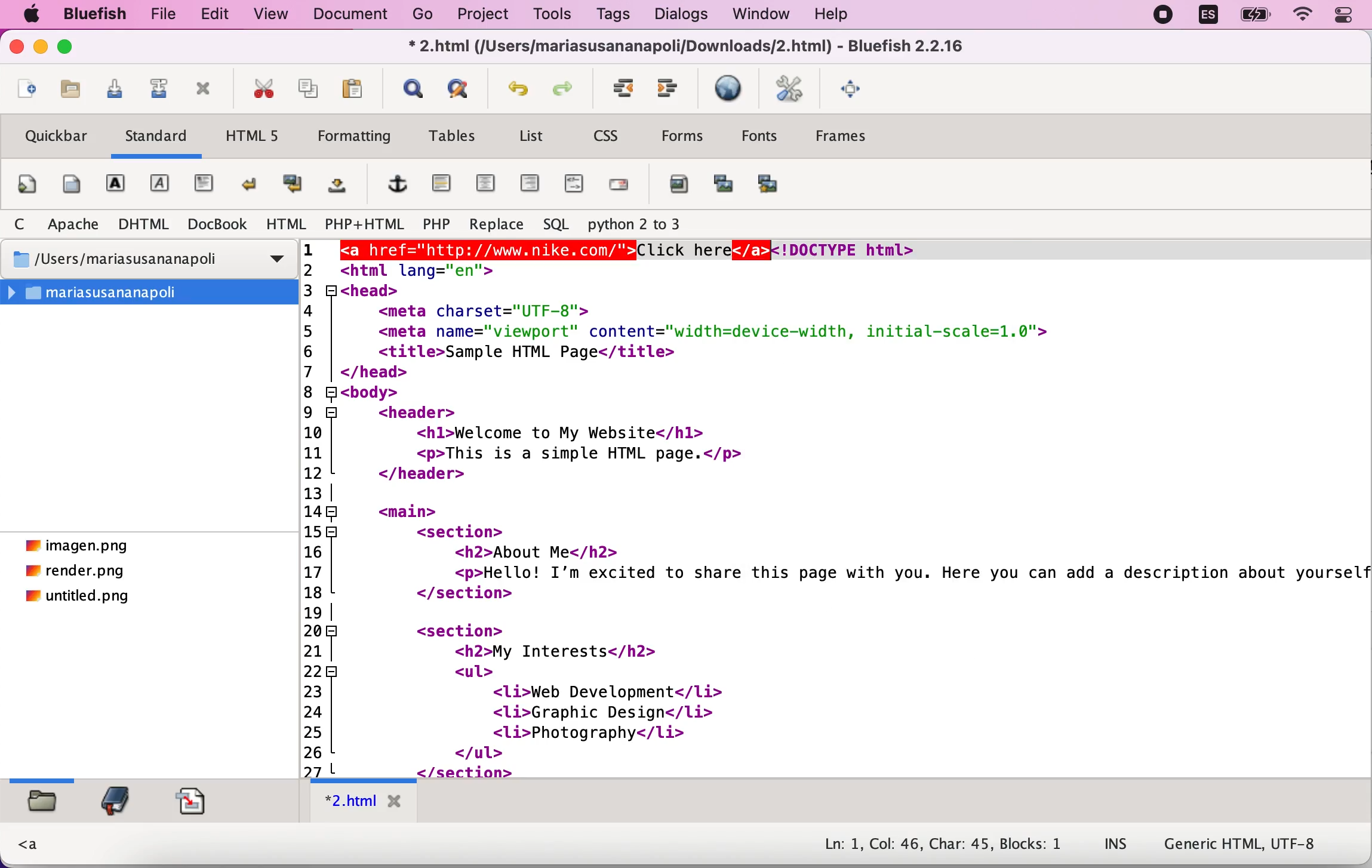 The width and height of the screenshot is (1372, 868). What do you see at coordinates (140, 223) in the screenshot?
I see `dhtml` at bounding box center [140, 223].